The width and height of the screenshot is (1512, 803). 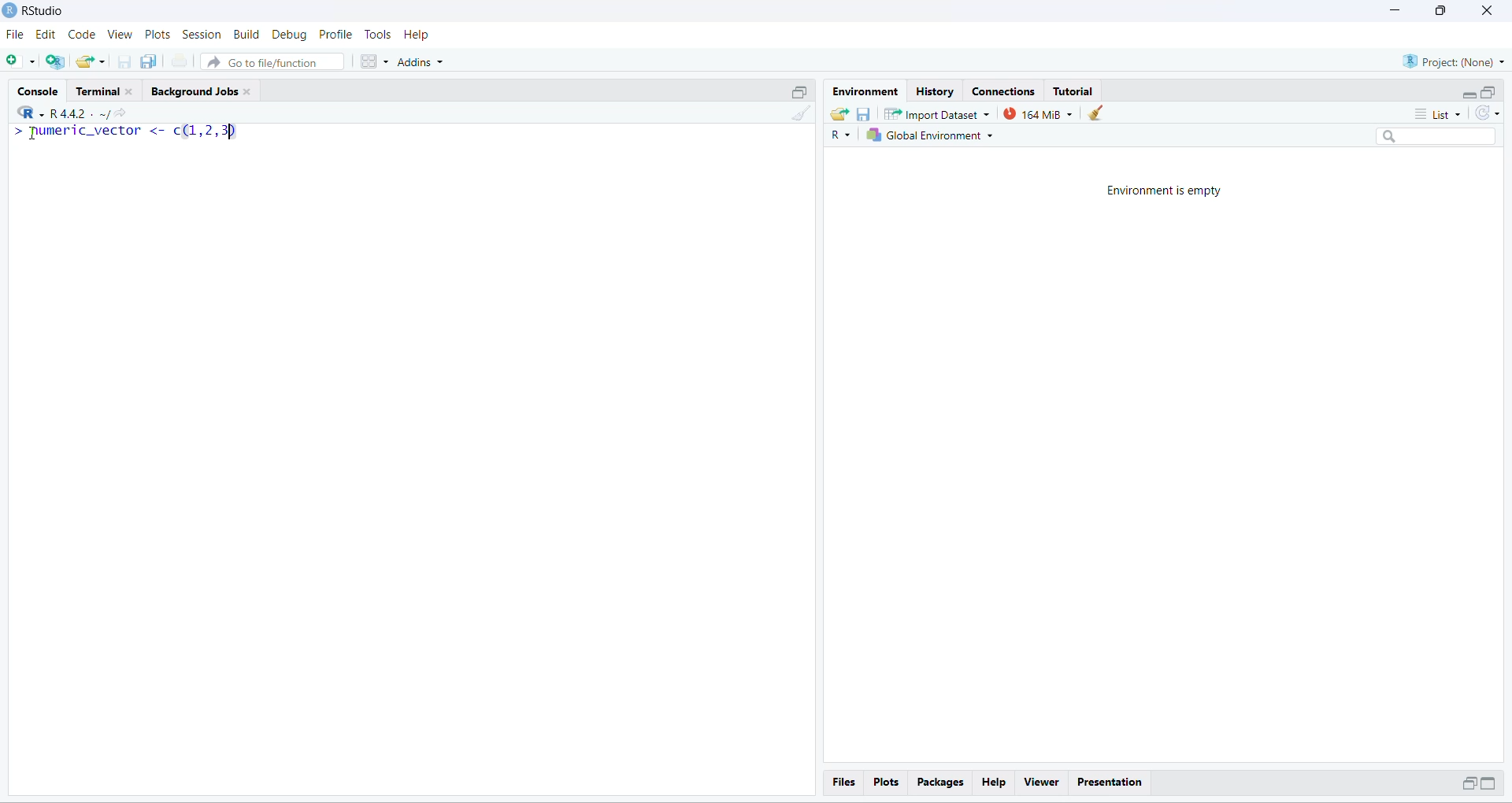 I want to click on Go to file/function, so click(x=271, y=62).